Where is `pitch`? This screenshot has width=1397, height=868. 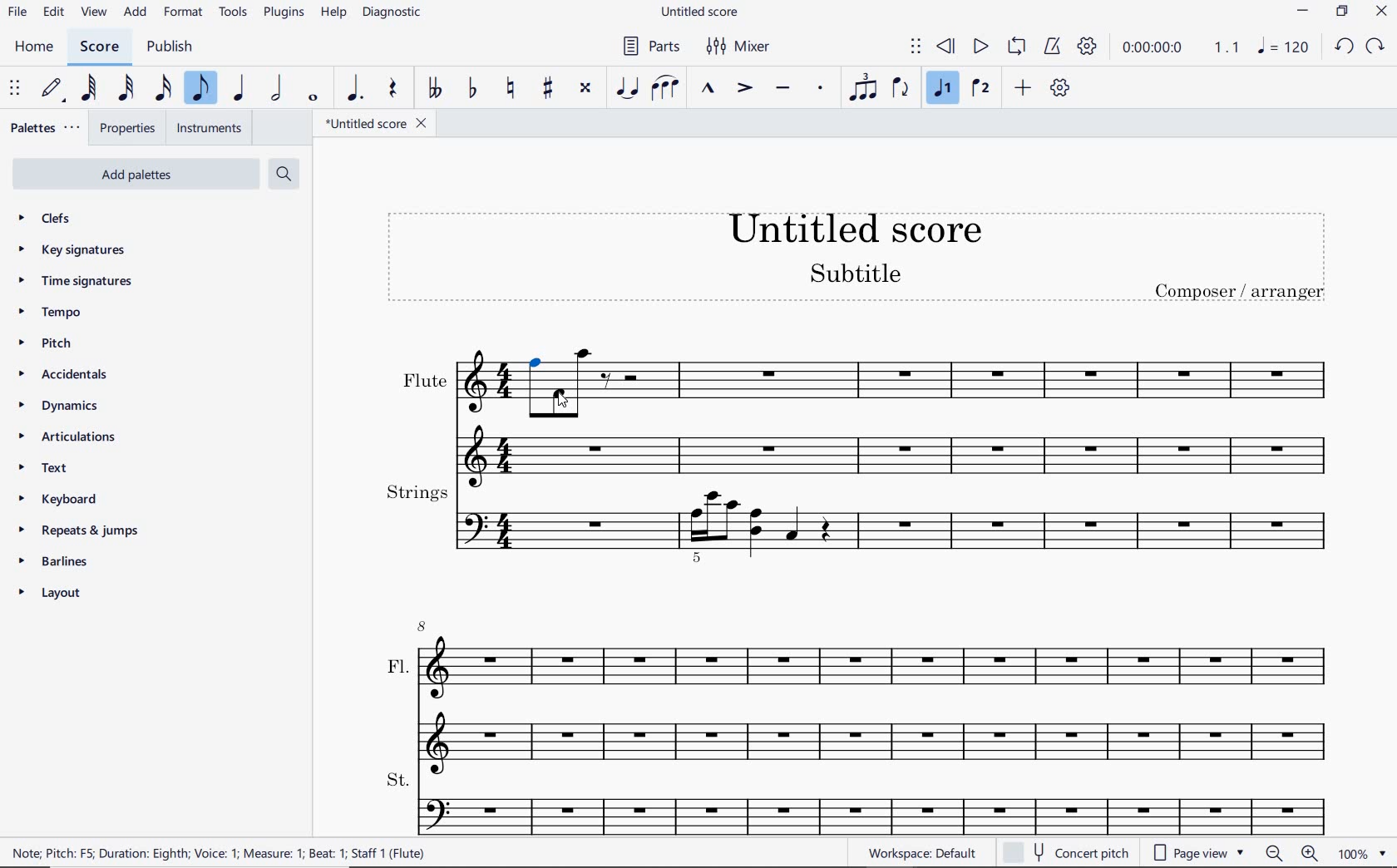
pitch is located at coordinates (48, 345).